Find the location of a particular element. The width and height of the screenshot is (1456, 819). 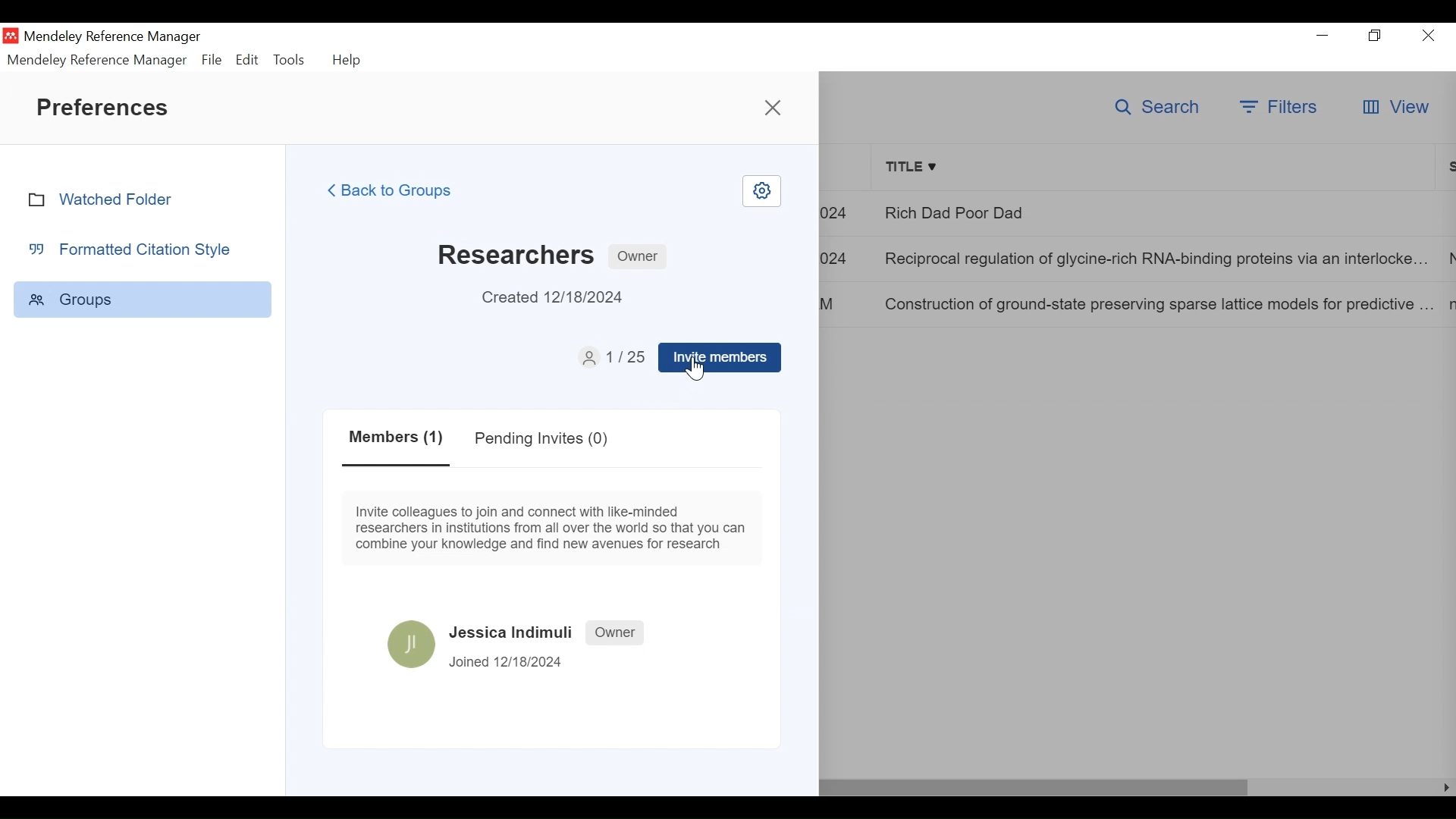

Mendeley Reference Manager is located at coordinates (112, 36).